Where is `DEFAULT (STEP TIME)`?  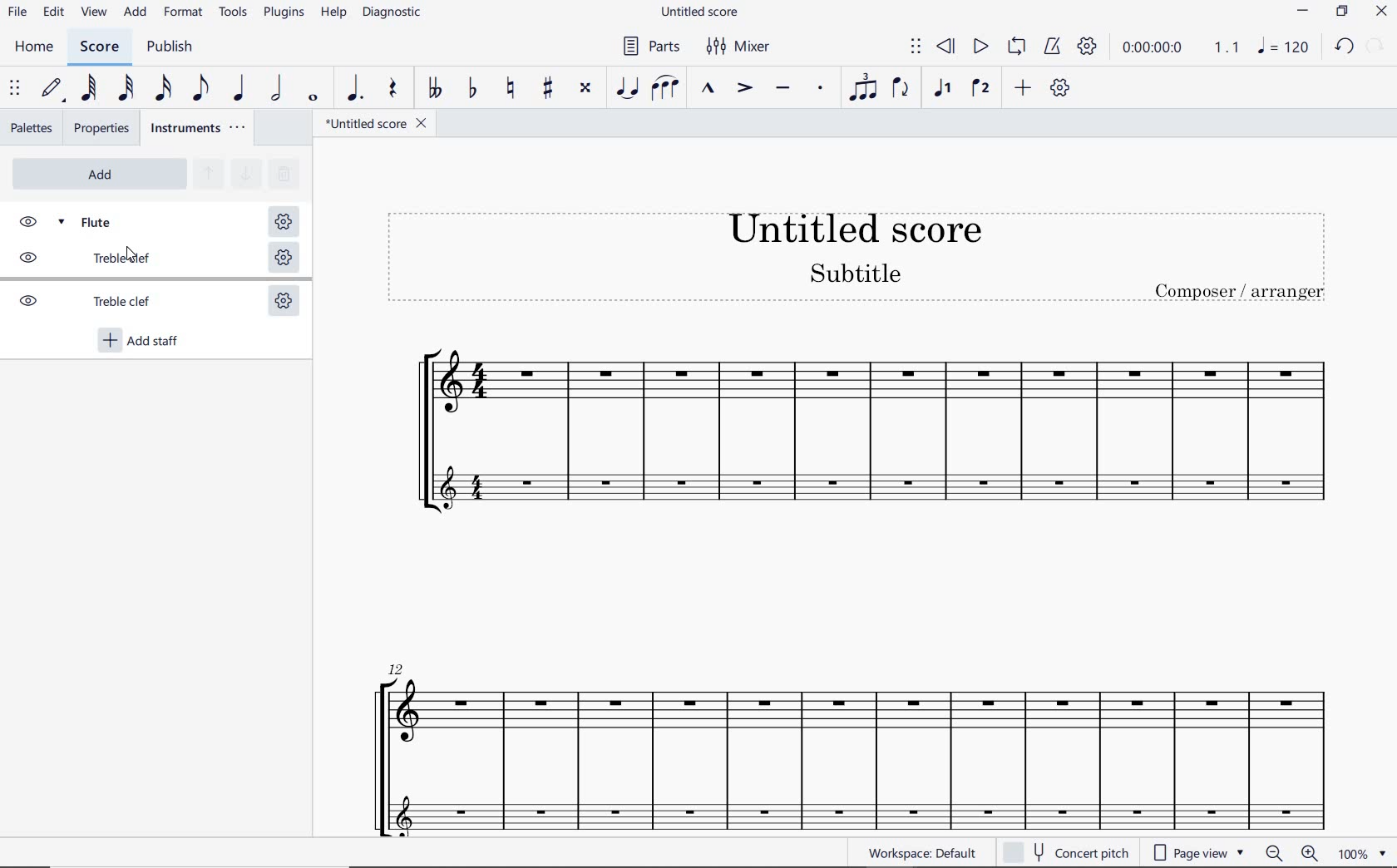
DEFAULT (STEP TIME) is located at coordinates (52, 89).